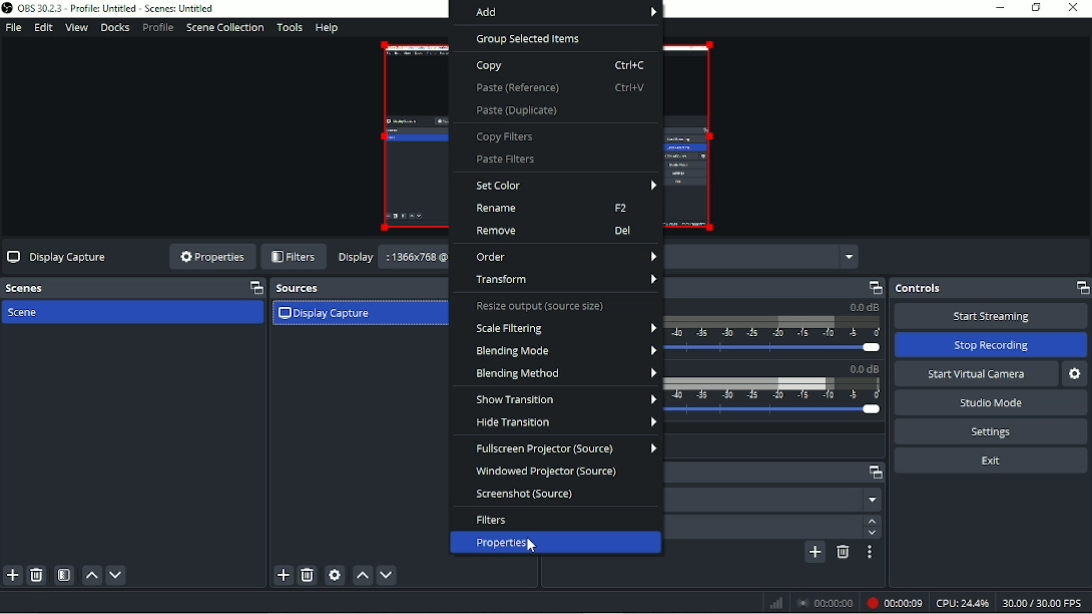  What do you see at coordinates (531, 40) in the screenshot?
I see `Group selected items` at bounding box center [531, 40].